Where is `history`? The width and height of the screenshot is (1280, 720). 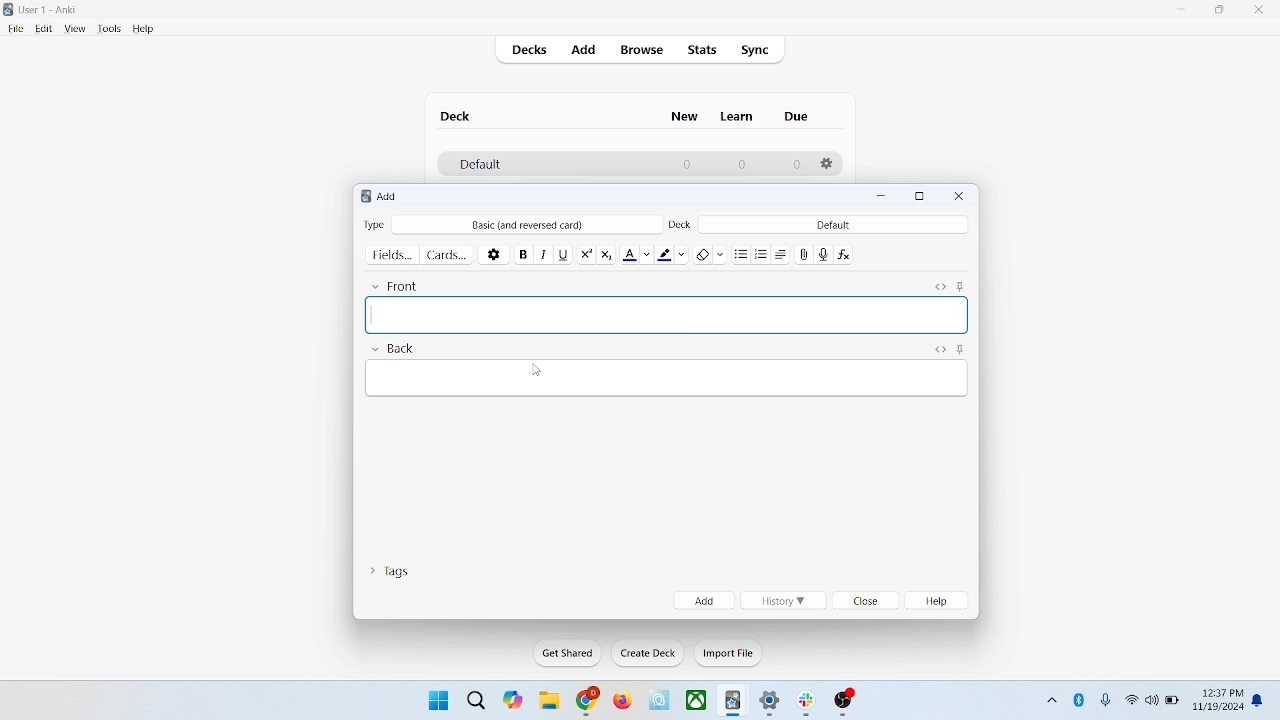 history is located at coordinates (782, 601).